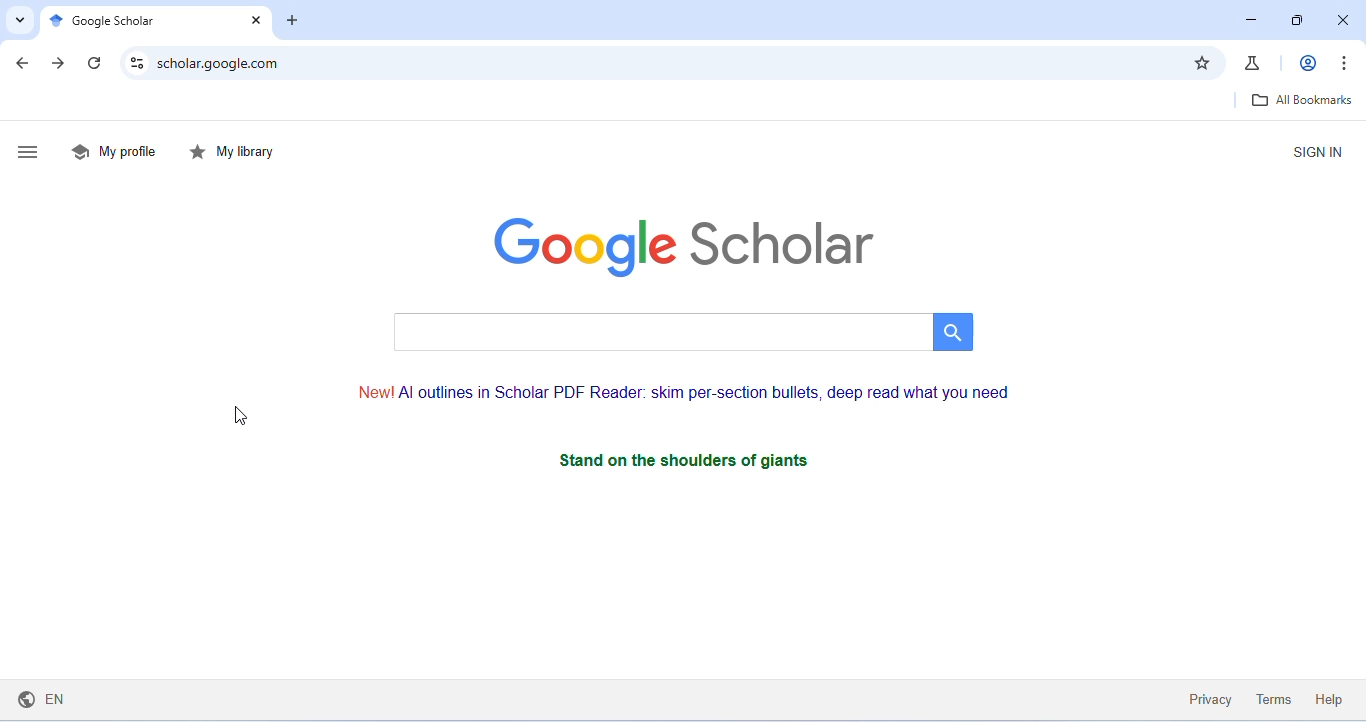  What do you see at coordinates (1254, 62) in the screenshot?
I see `chrome labs` at bounding box center [1254, 62].